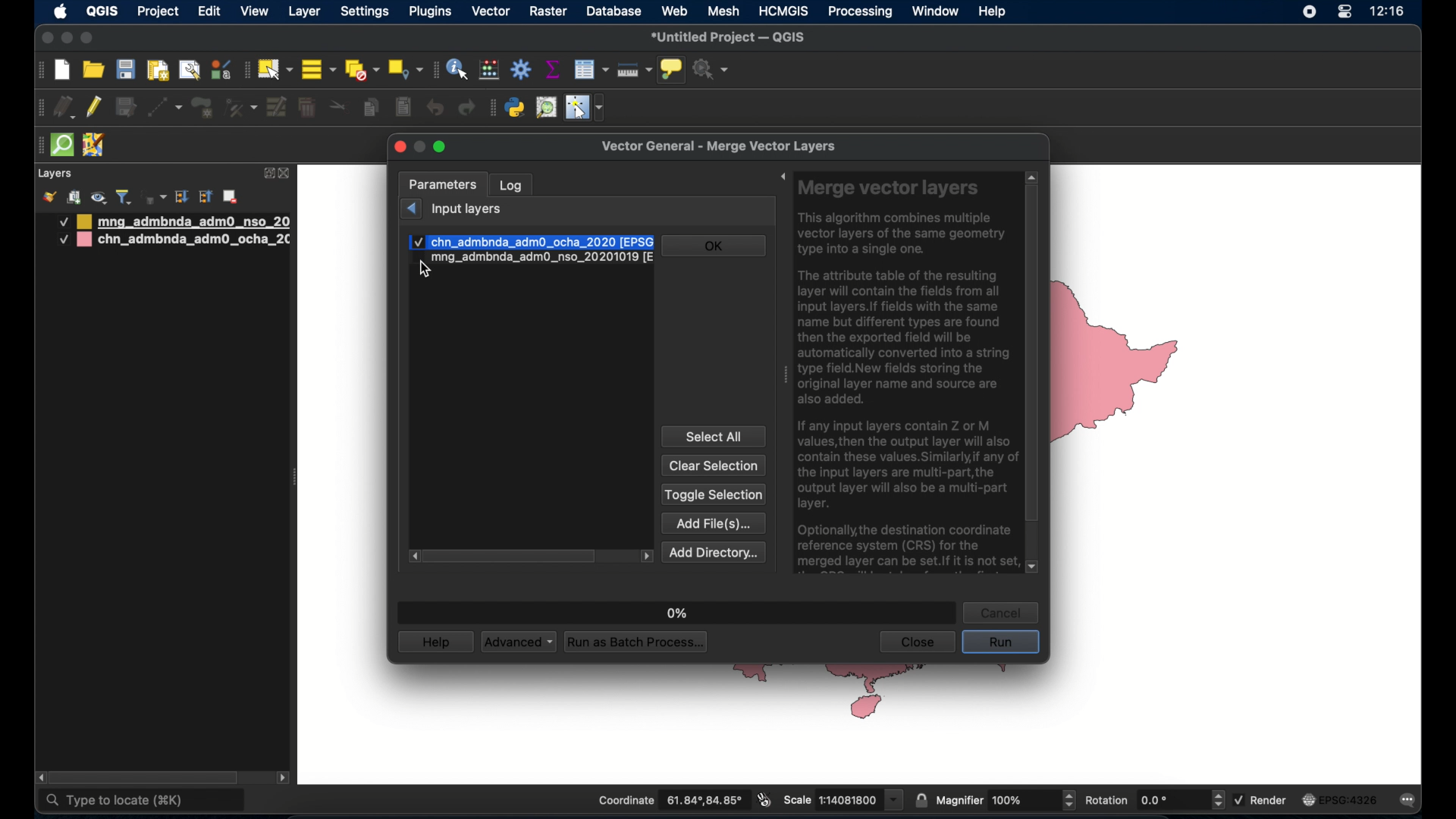 This screenshot has height=819, width=1456. Describe the element at coordinates (202, 108) in the screenshot. I see `add polygon feature` at that location.